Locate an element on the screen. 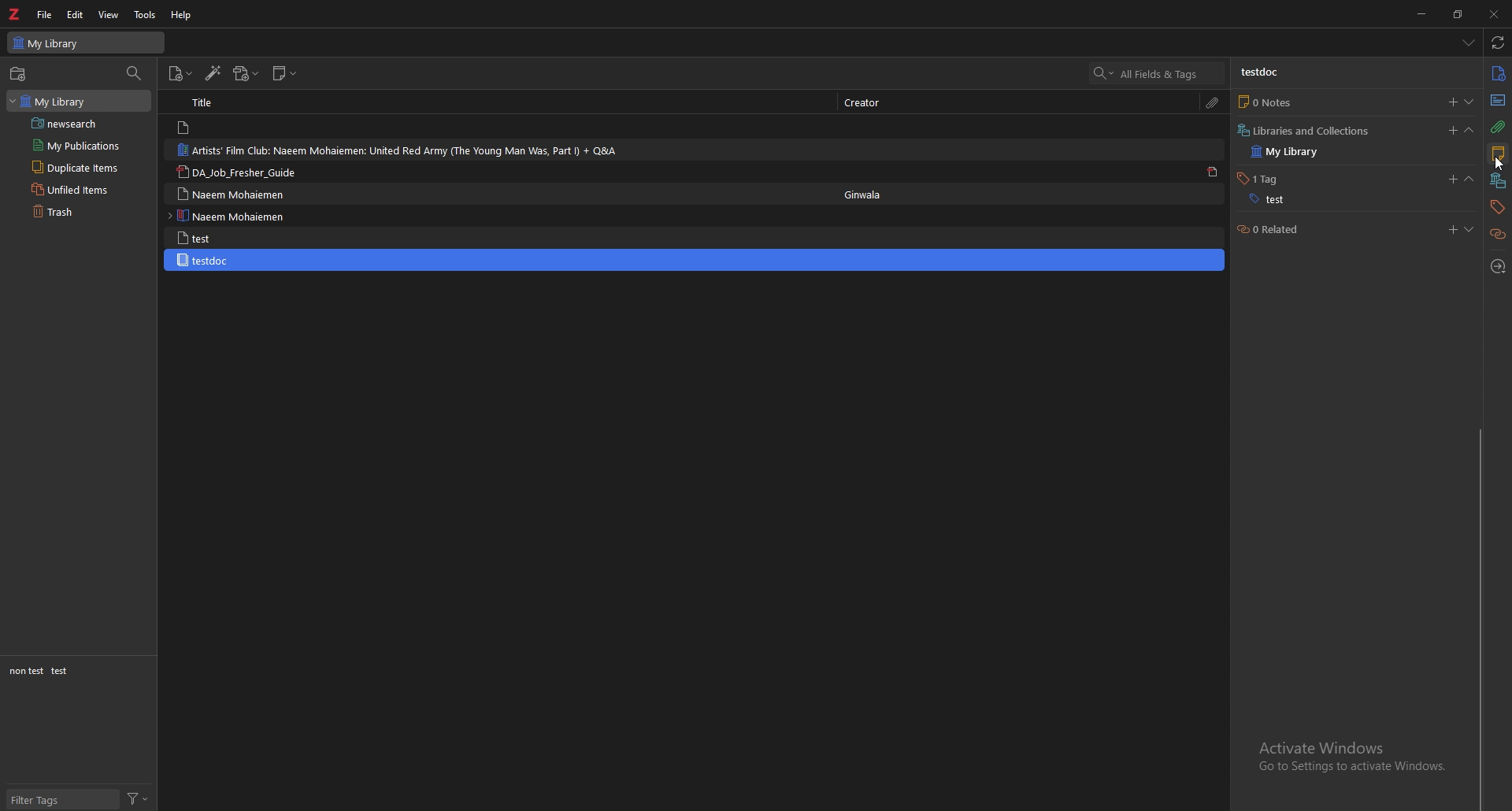  testdoc is located at coordinates (697, 259).